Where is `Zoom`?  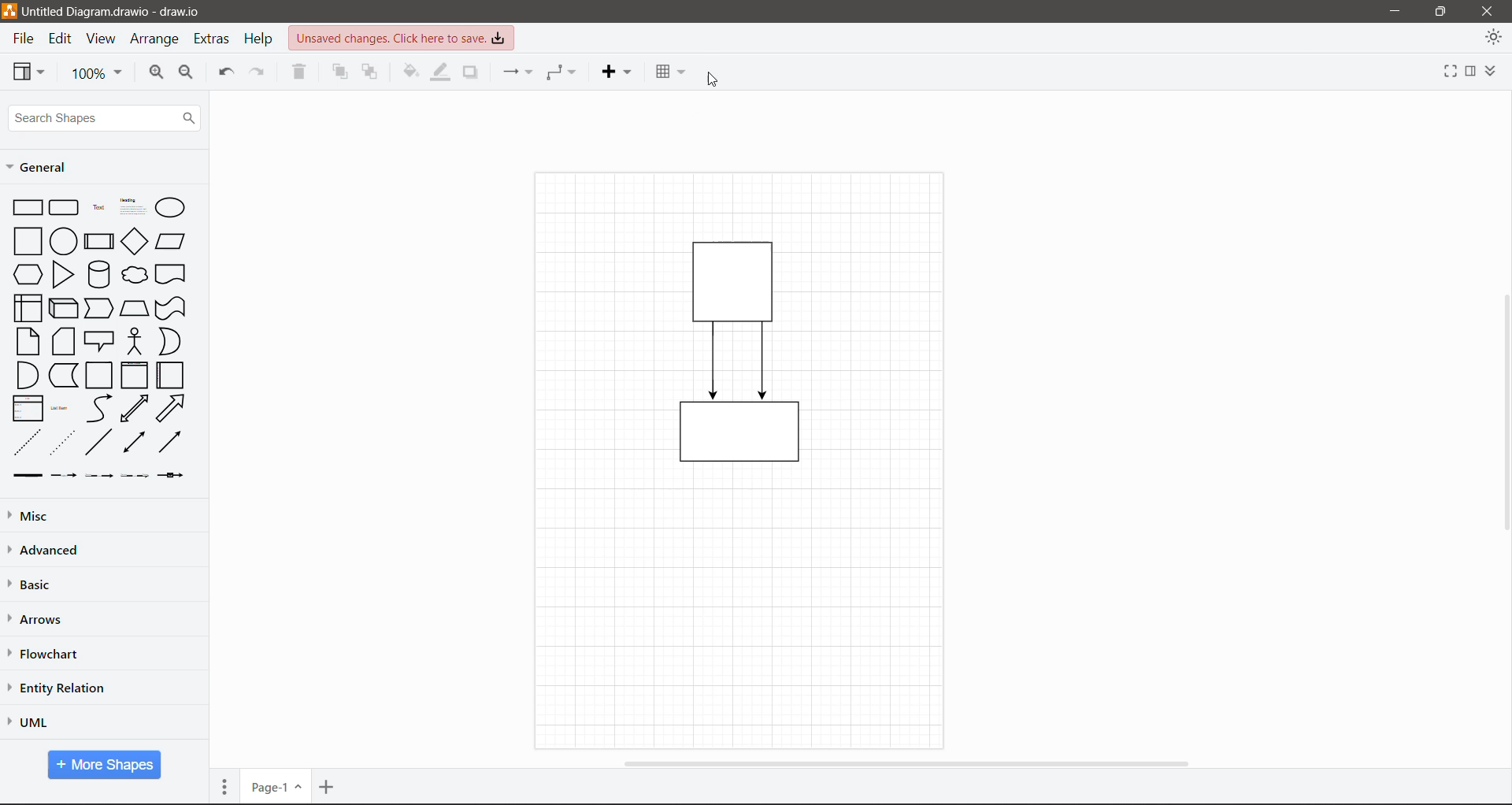
Zoom is located at coordinates (97, 74).